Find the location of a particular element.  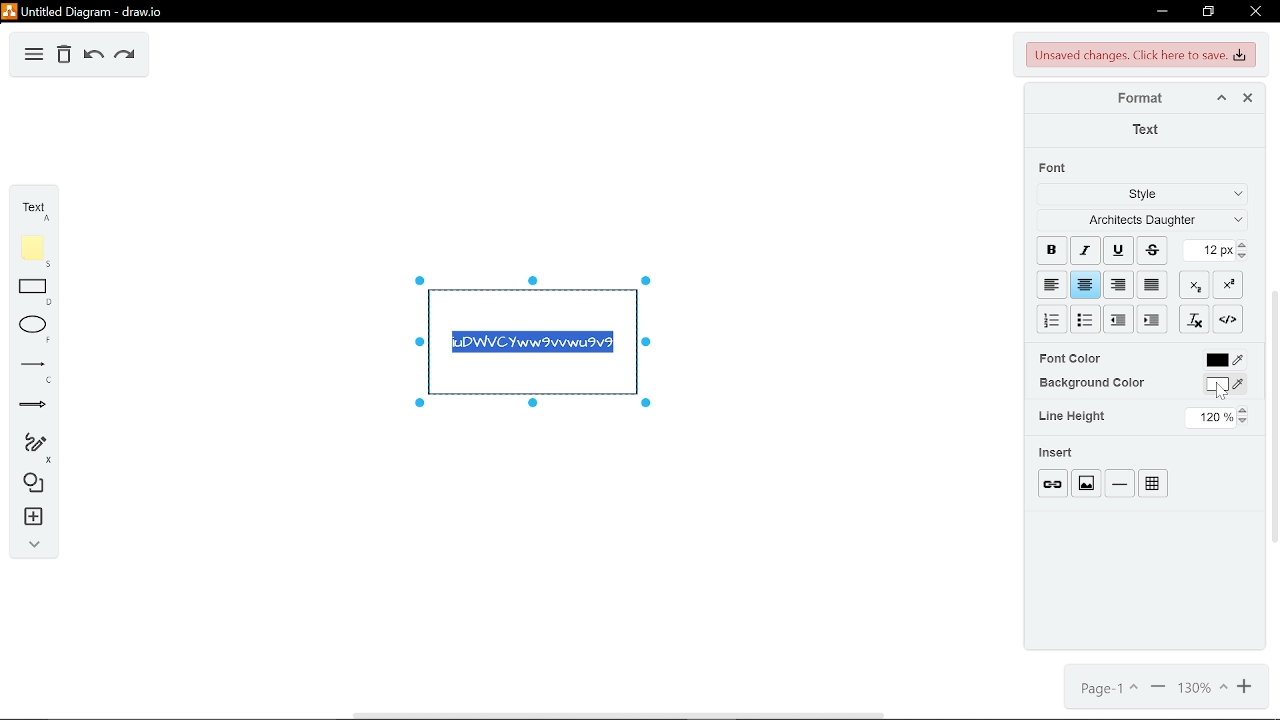

text is located at coordinates (1145, 129).